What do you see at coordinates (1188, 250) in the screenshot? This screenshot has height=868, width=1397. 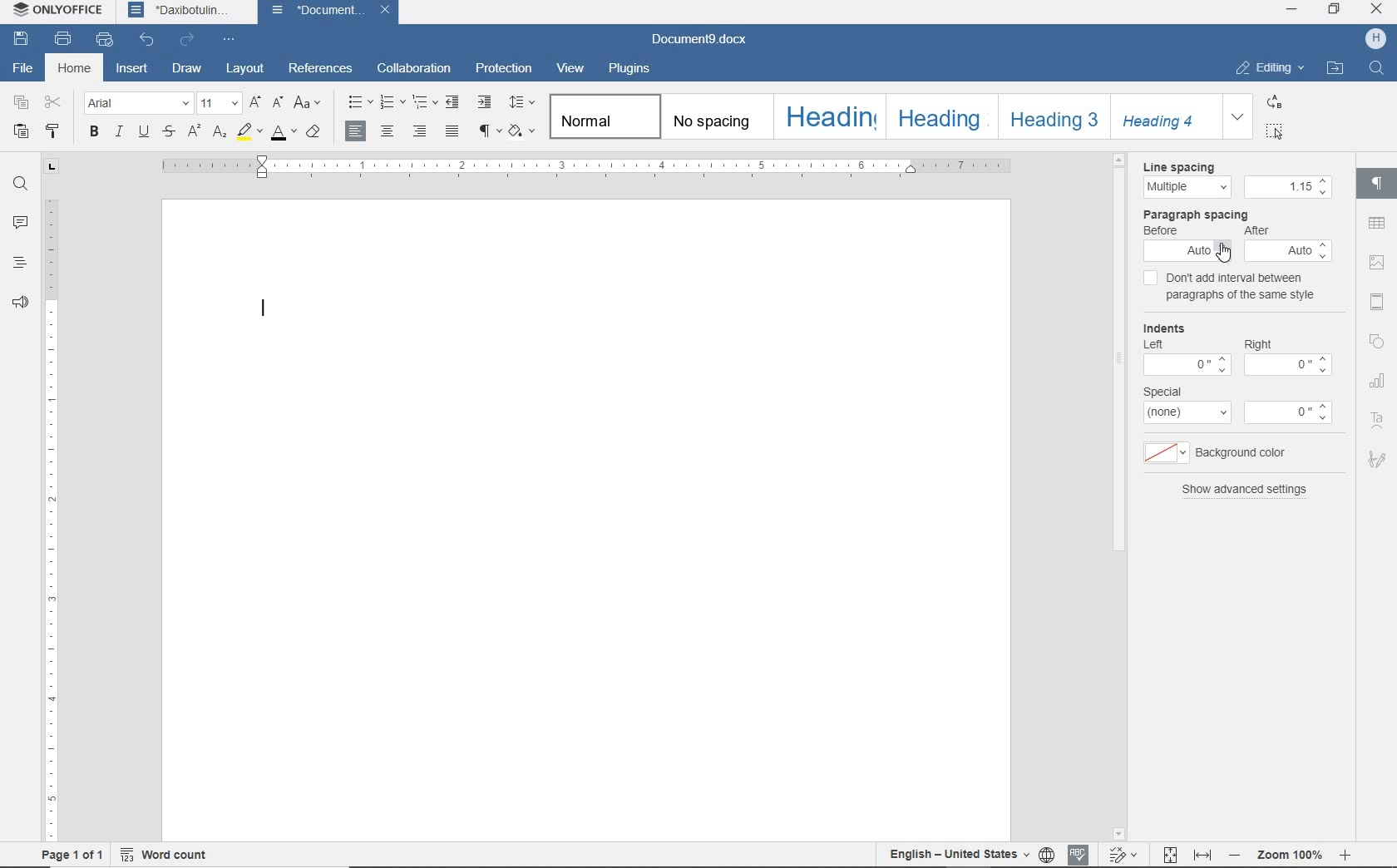 I see `before spacing` at bounding box center [1188, 250].